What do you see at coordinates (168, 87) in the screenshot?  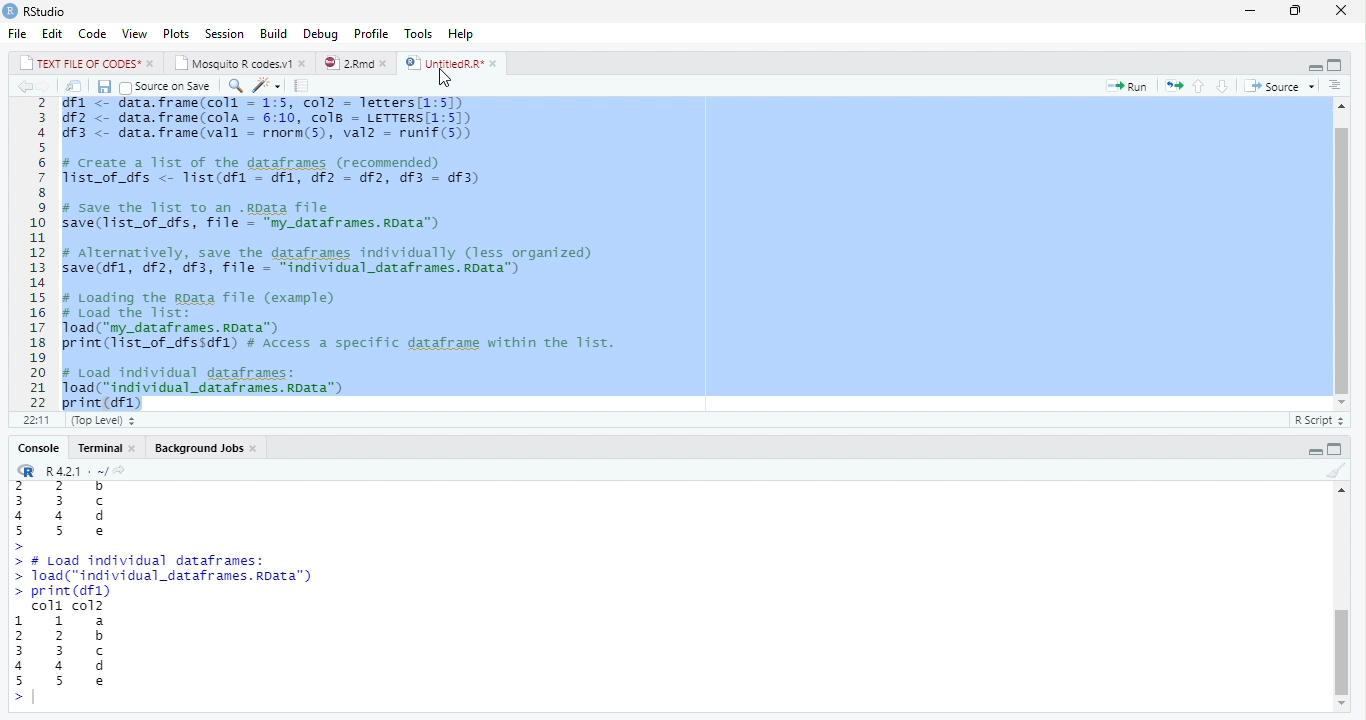 I see `Source on Save` at bounding box center [168, 87].